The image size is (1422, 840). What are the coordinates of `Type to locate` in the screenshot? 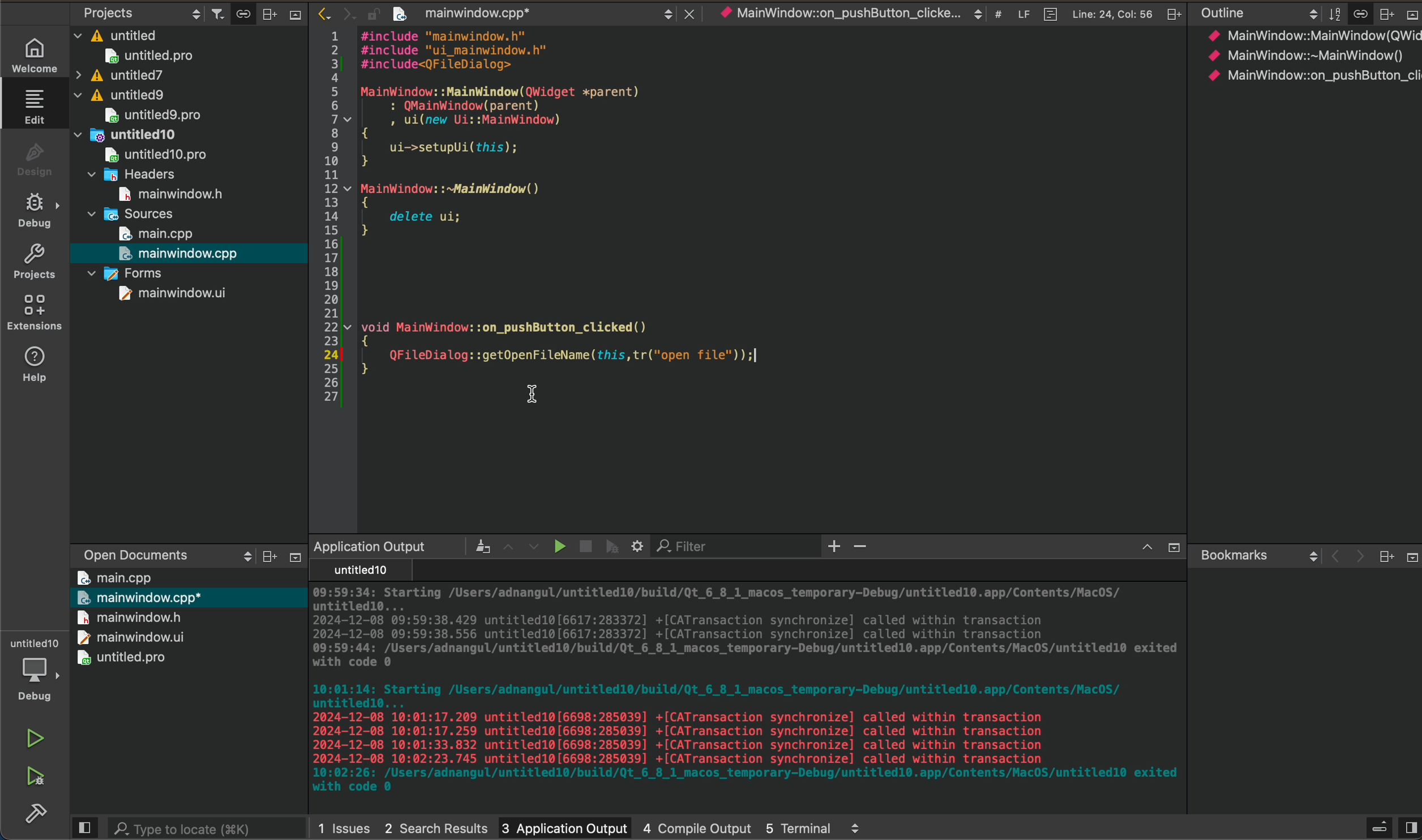 It's located at (185, 826).